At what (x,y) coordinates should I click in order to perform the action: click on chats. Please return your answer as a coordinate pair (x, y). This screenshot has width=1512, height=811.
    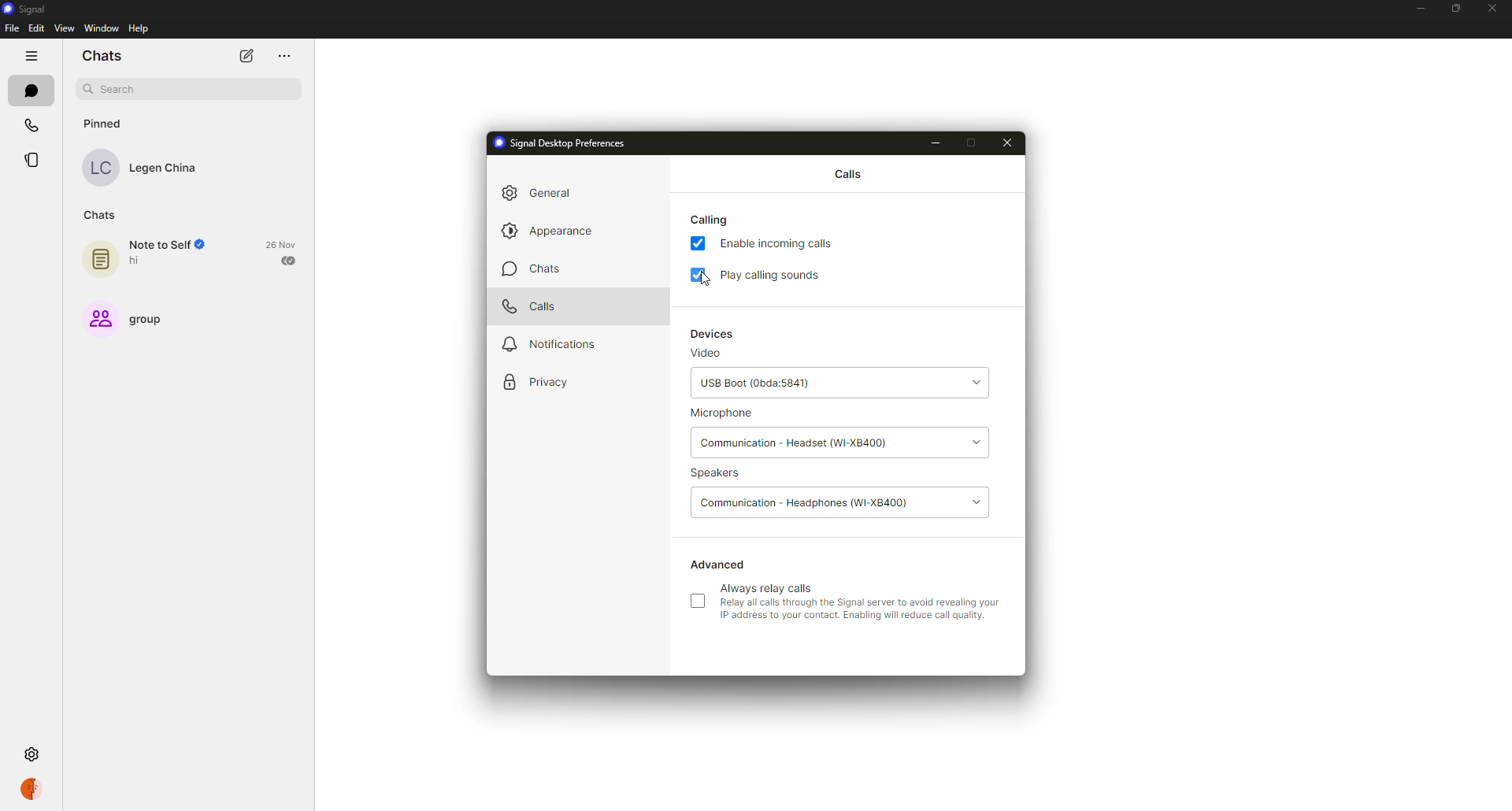
    Looking at the image, I should click on (31, 92).